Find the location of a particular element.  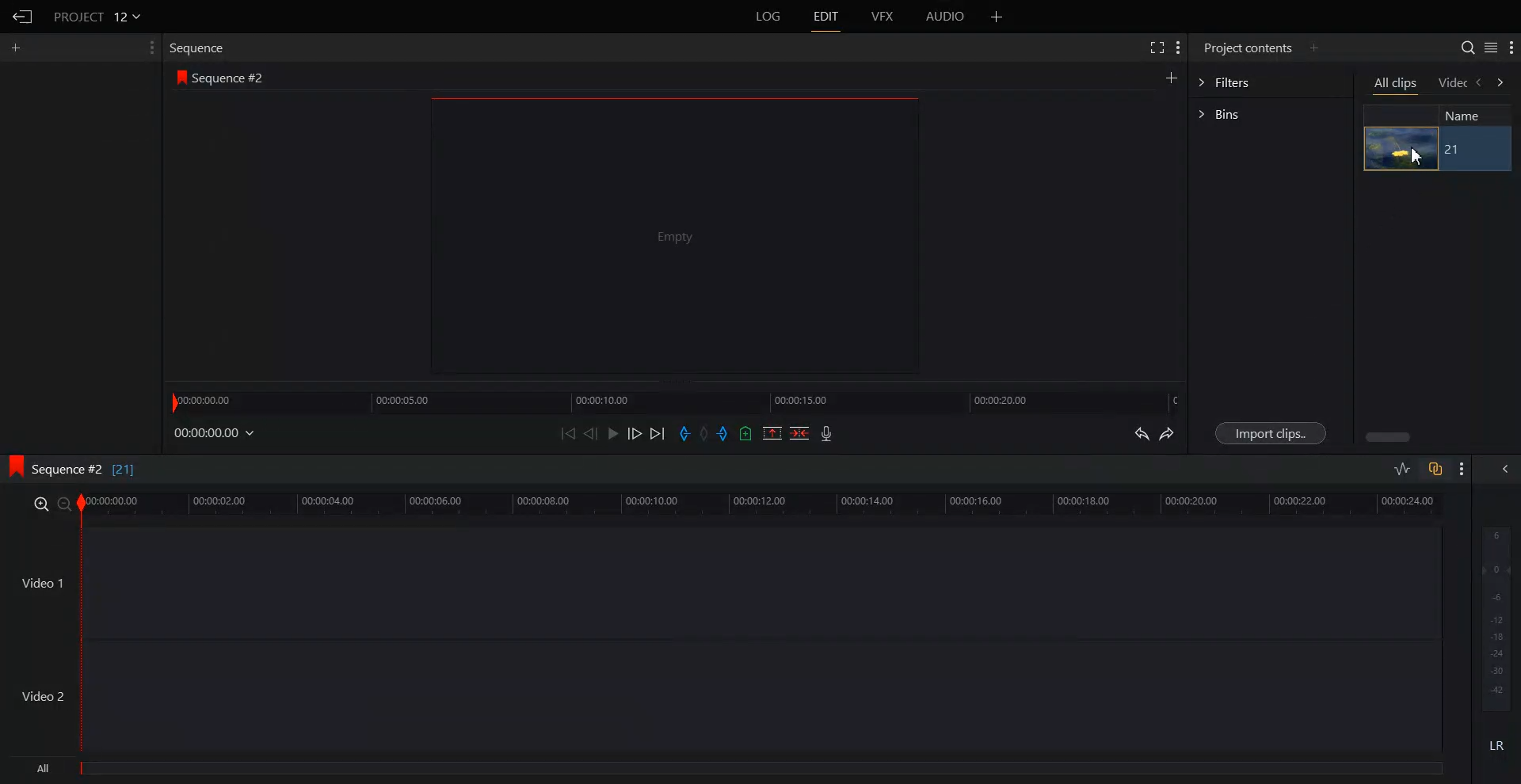

zoom out is located at coordinates (64, 504).